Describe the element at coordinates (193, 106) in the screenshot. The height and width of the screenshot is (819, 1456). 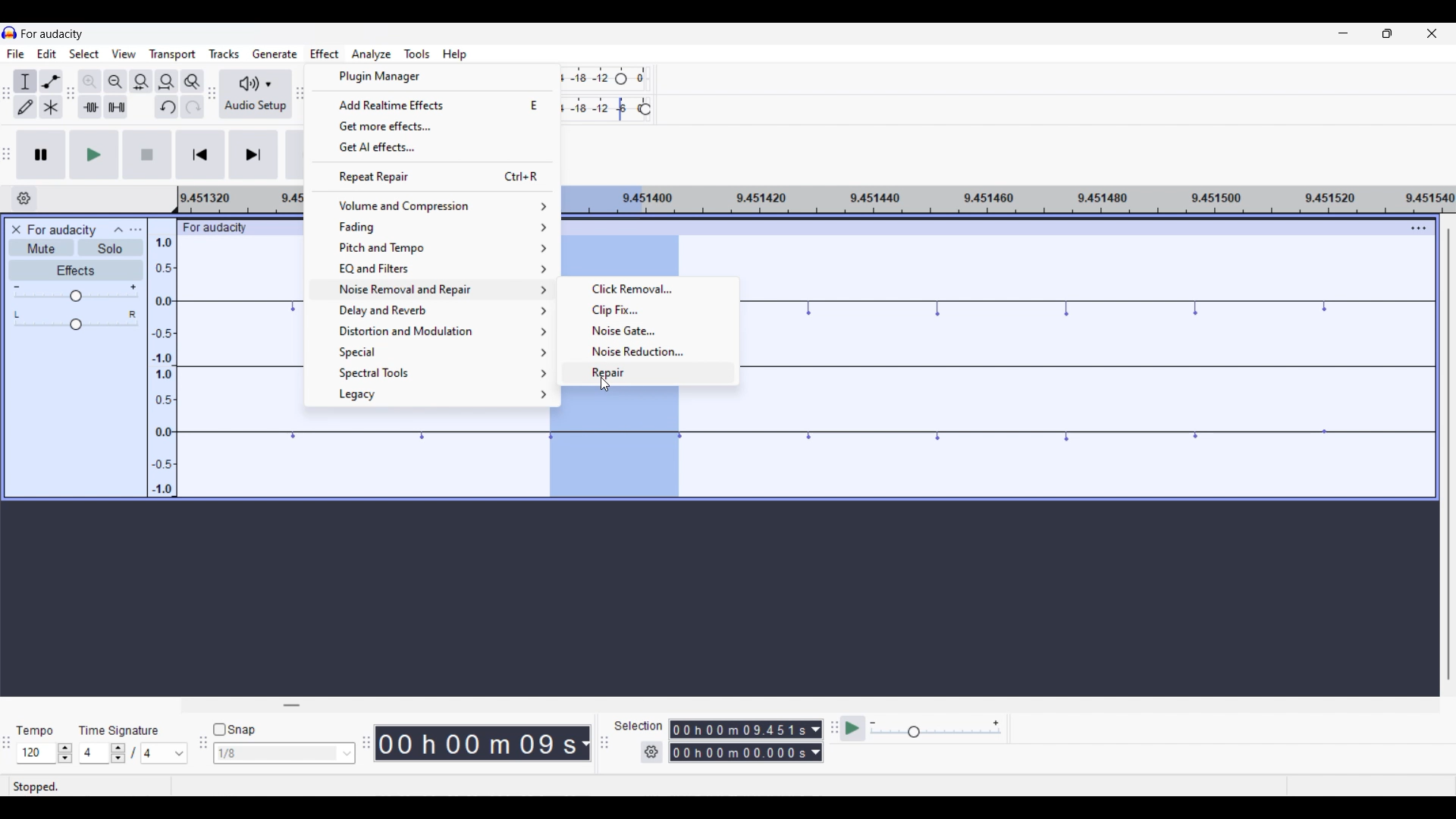
I see `Redo` at that location.